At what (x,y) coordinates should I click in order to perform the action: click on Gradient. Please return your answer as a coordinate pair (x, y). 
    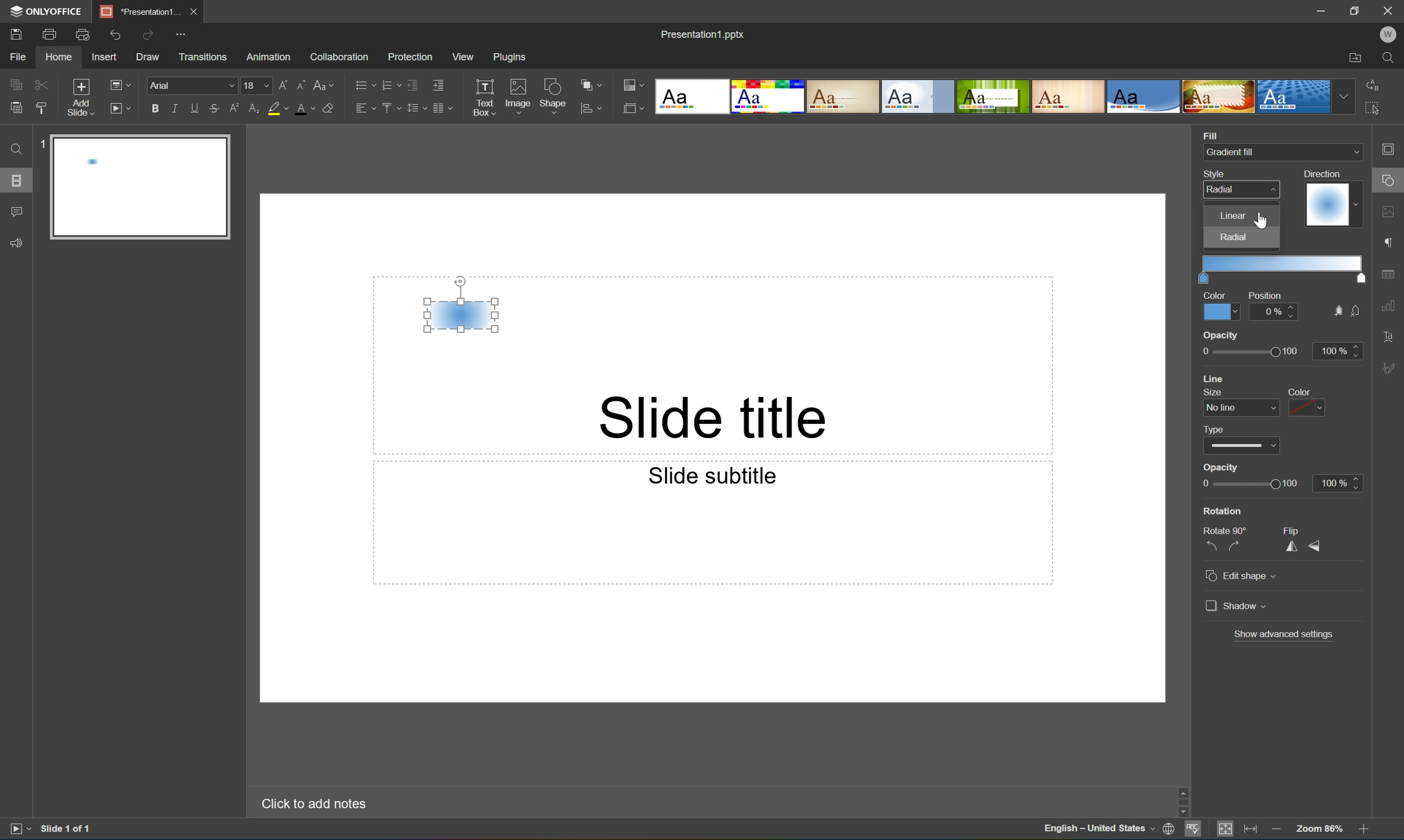
    Looking at the image, I should click on (1327, 204).